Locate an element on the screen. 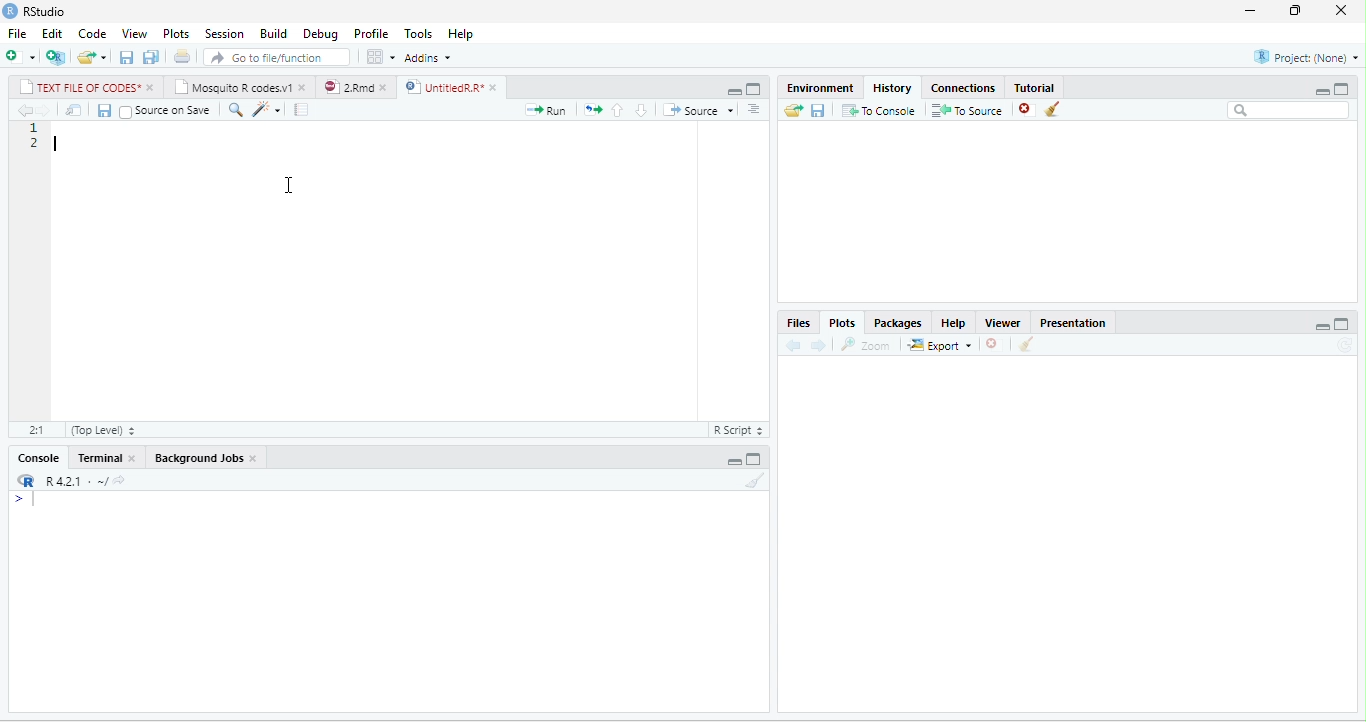  R 4.2.1 ~/ is located at coordinates (73, 481).